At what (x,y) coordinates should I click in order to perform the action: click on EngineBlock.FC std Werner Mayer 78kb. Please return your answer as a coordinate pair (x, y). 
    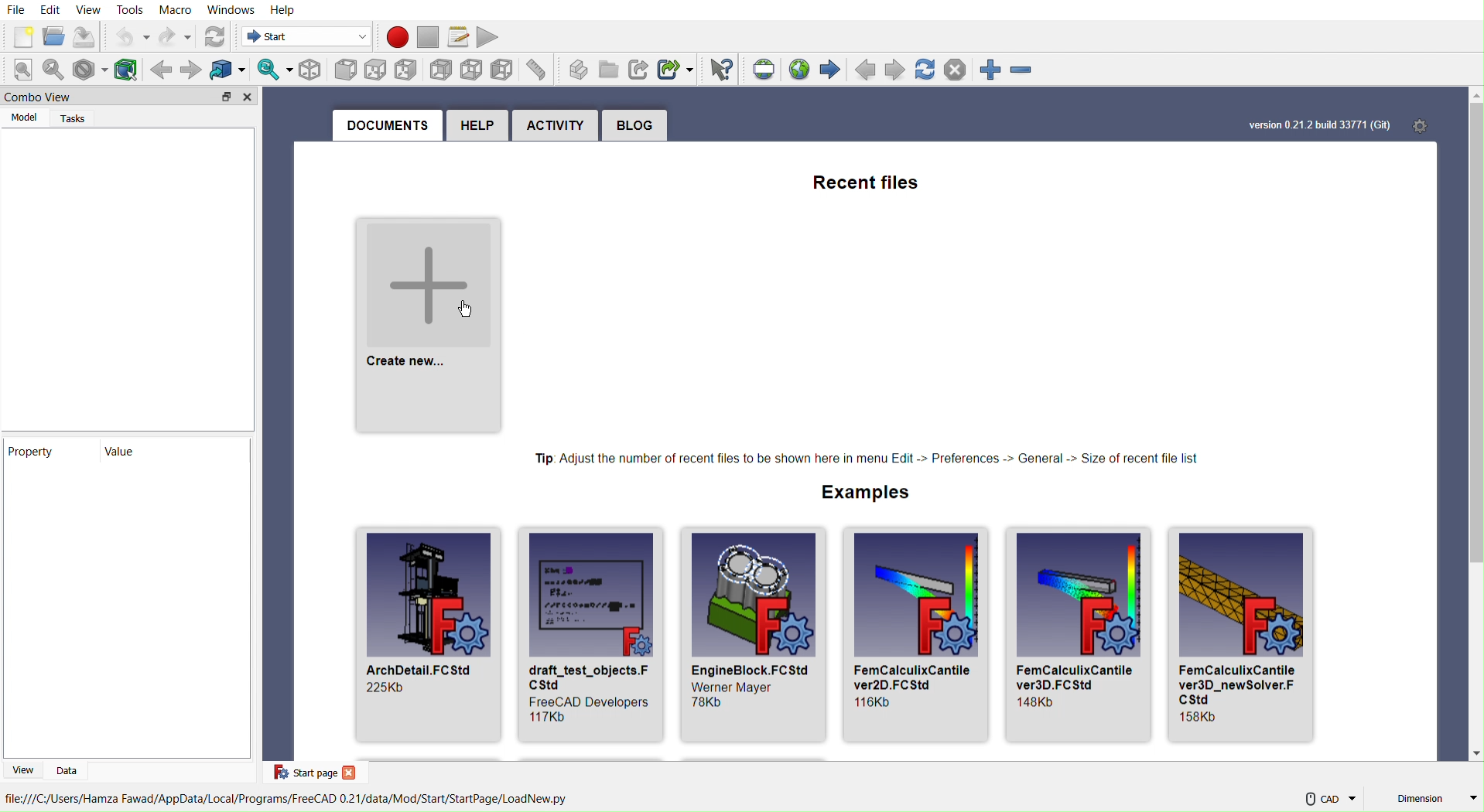
    Looking at the image, I should click on (750, 632).